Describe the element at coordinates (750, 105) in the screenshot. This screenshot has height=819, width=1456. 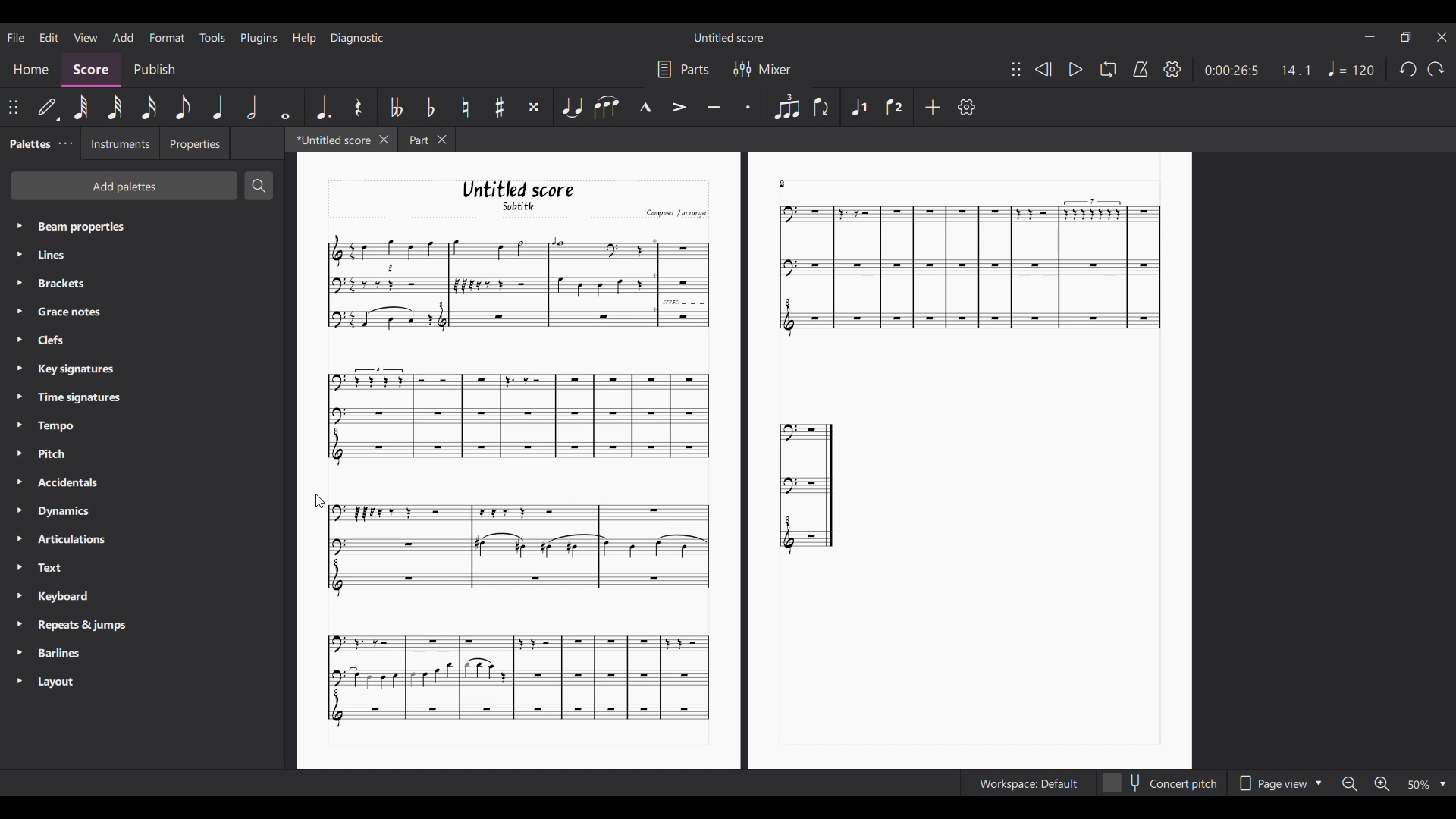
I see `Staccato ` at that location.